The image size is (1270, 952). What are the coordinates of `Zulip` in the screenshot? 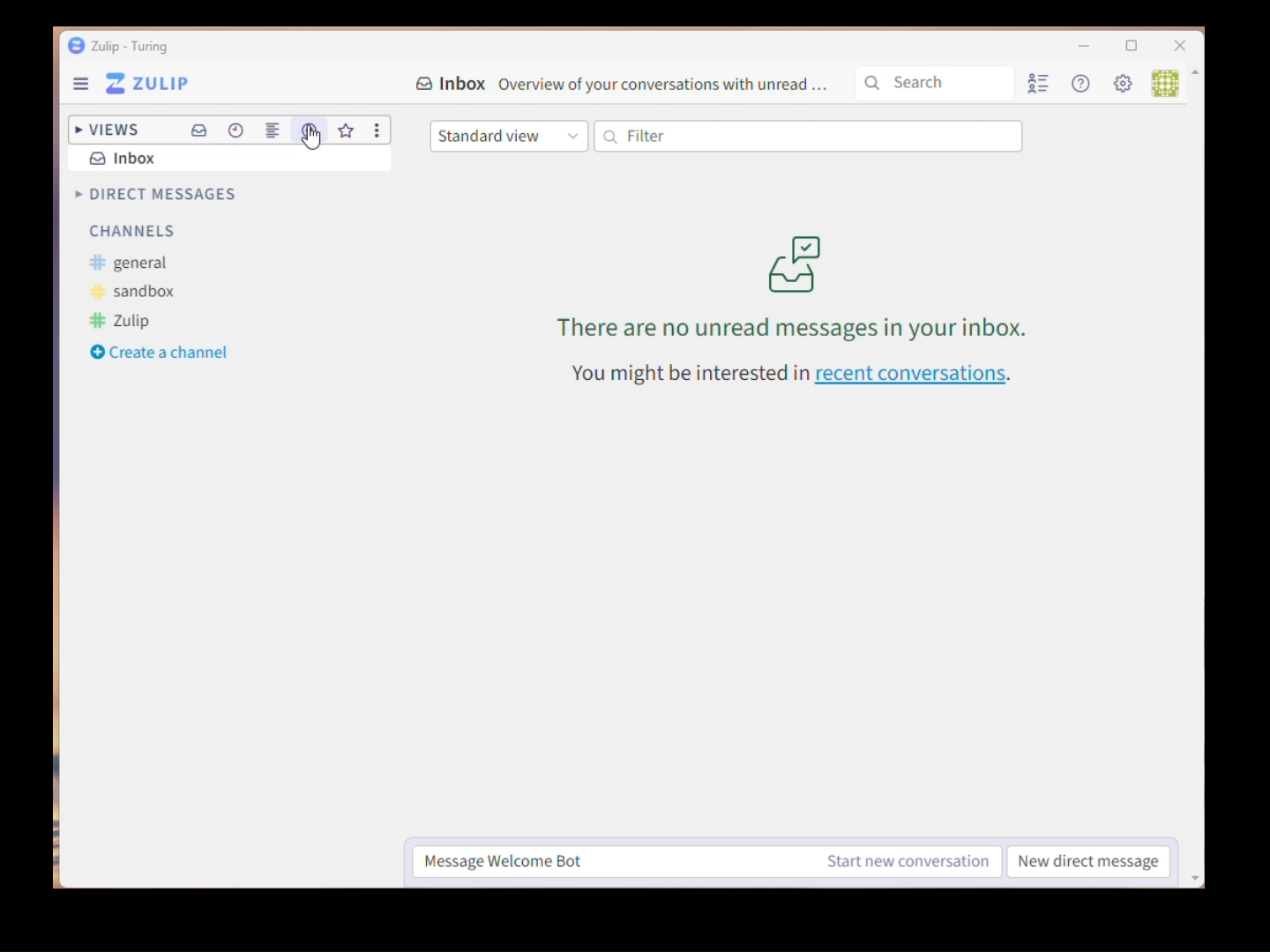 It's located at (122, 322).